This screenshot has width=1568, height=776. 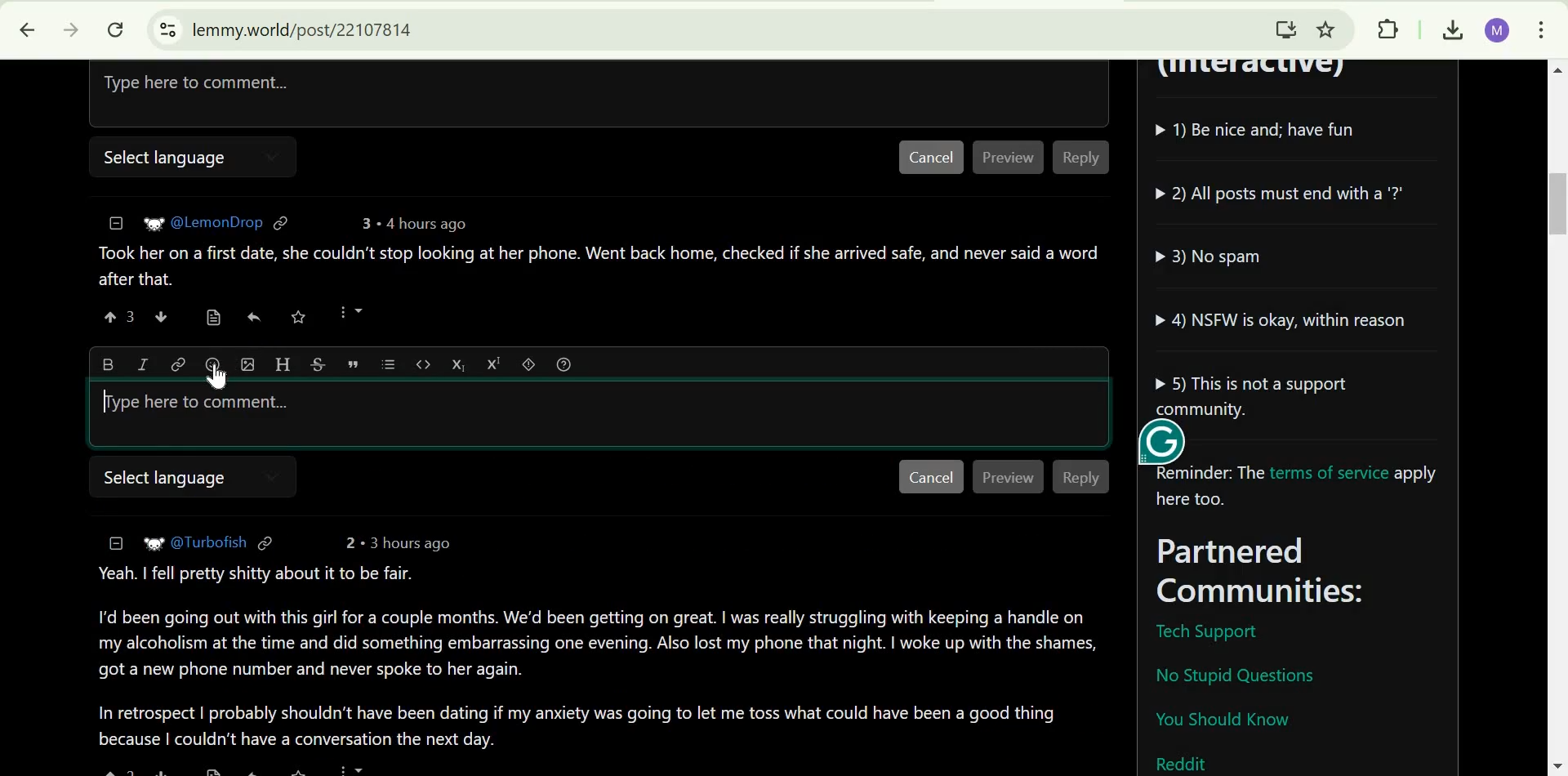 I want to click on Preview, so click(x=1009, y=158).